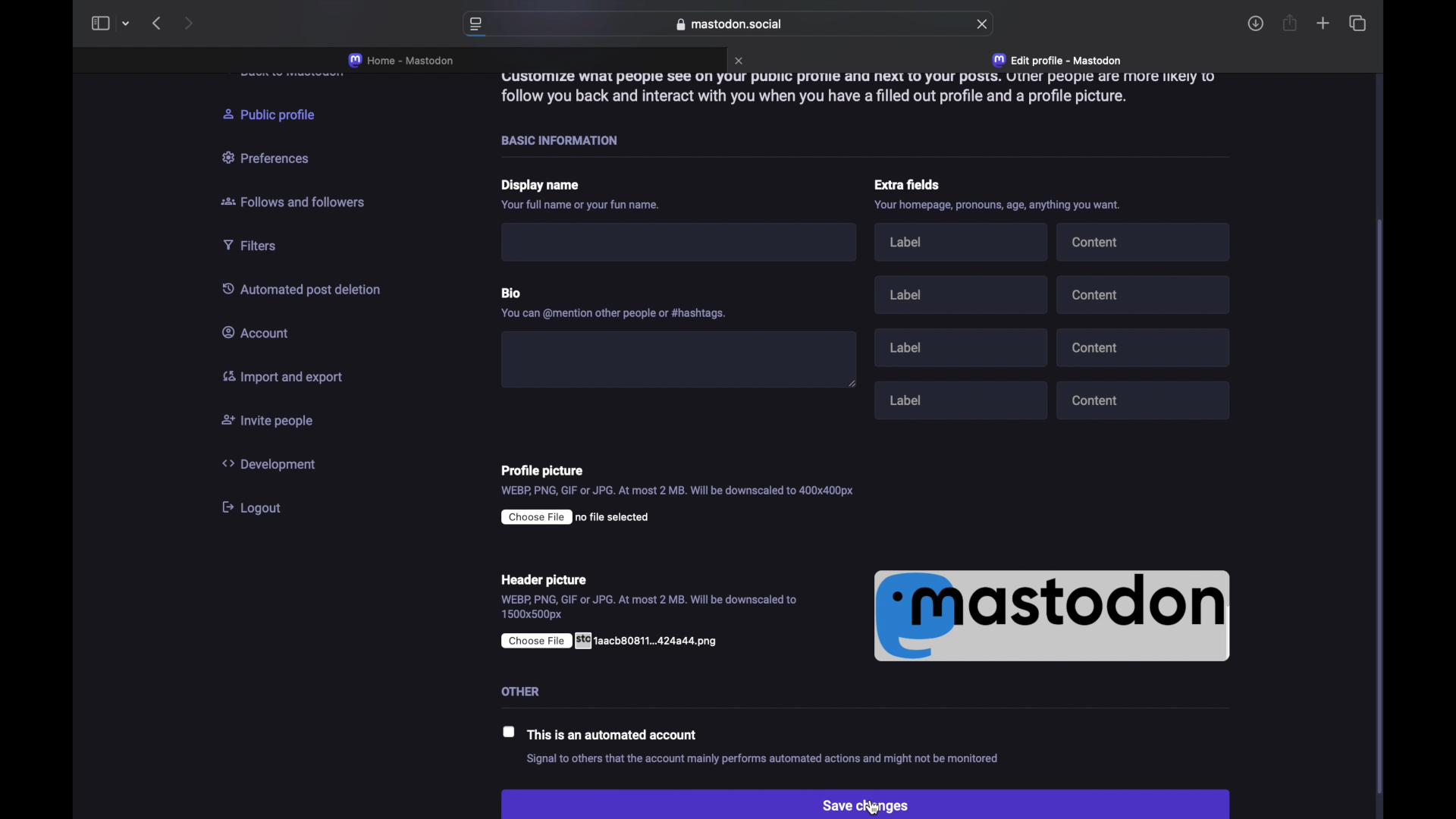 The height and width of the screenshot is (819, 1456). Describe the element at coordinates (965, 349) in the screenshot. I see `label` at that location.